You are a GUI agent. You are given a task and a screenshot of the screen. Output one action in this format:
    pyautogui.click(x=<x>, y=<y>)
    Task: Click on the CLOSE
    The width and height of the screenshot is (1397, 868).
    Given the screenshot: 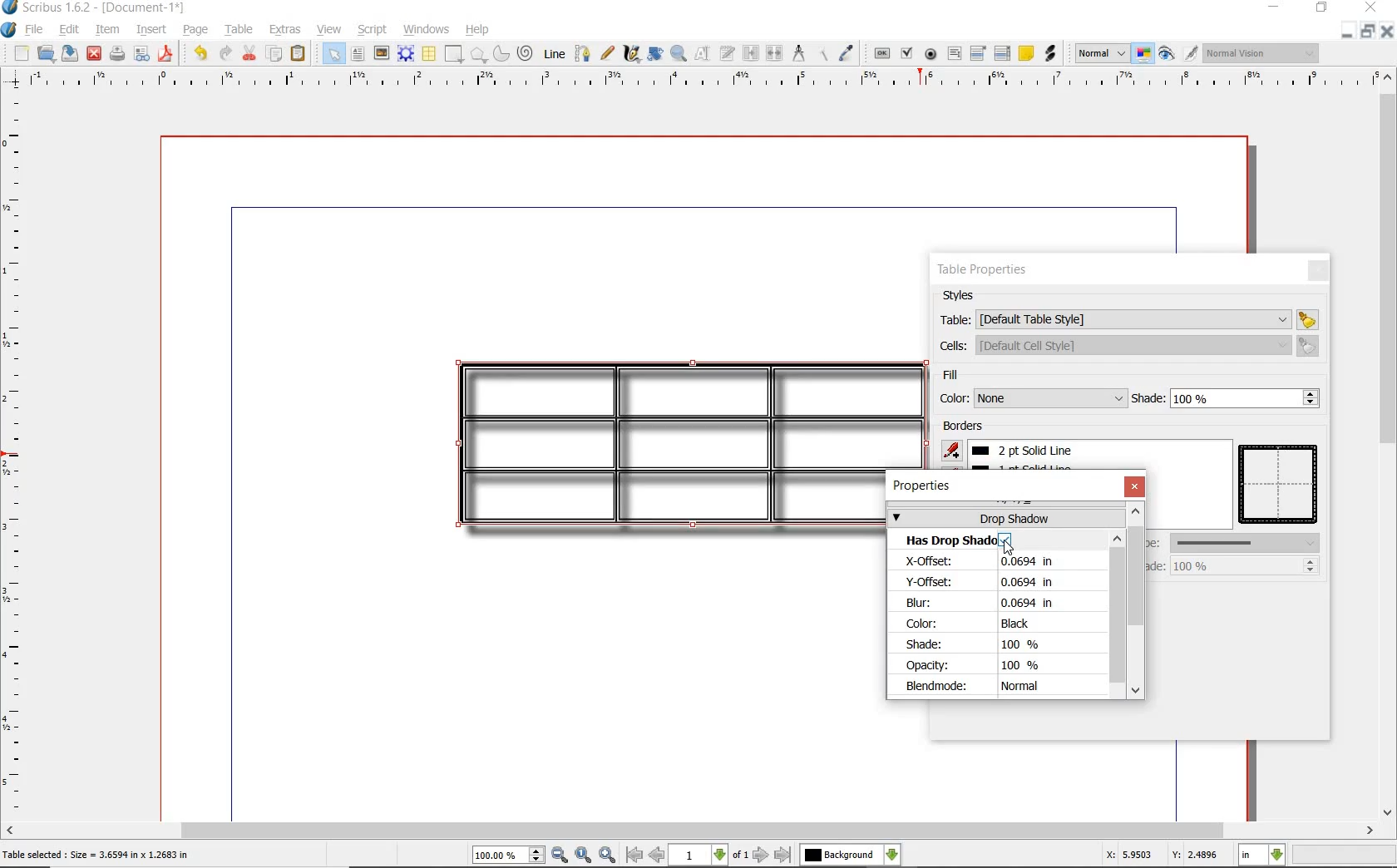 What is the action you would take?
    pyautogui.click(x=1389, y=30)
    